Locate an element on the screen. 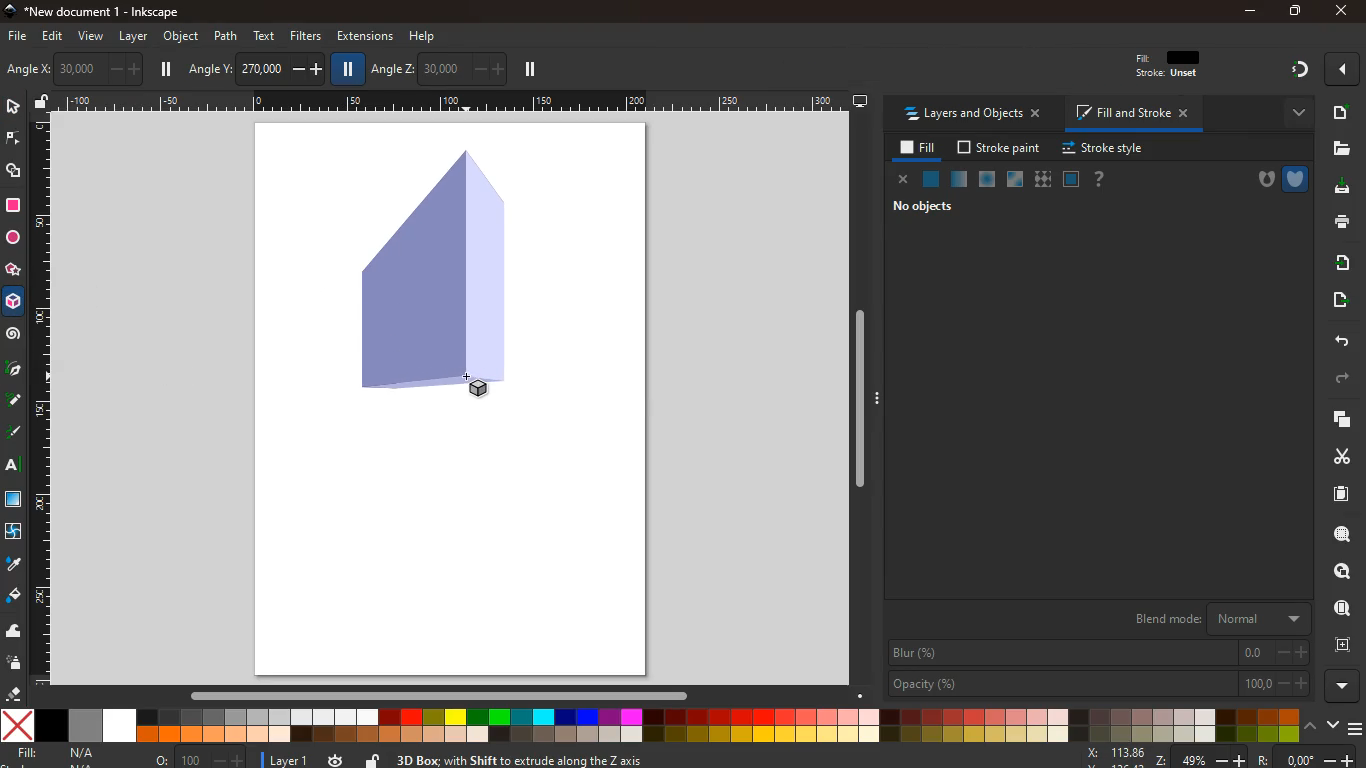 The width and height of the screenshot is (1366, 768). angle z is located at coordinates (437, 68).